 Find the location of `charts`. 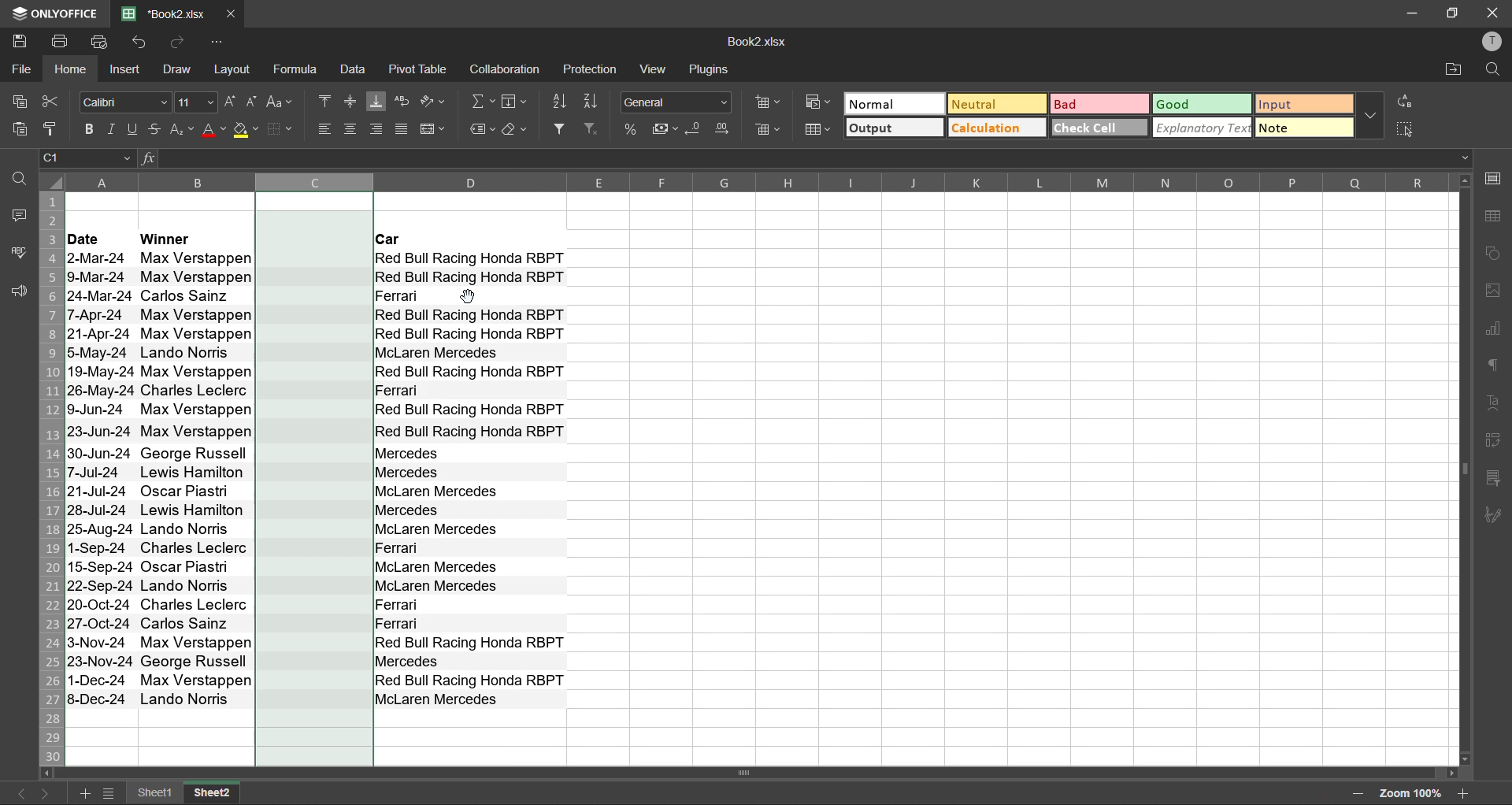

charts is located at coordinates (1496, 331).